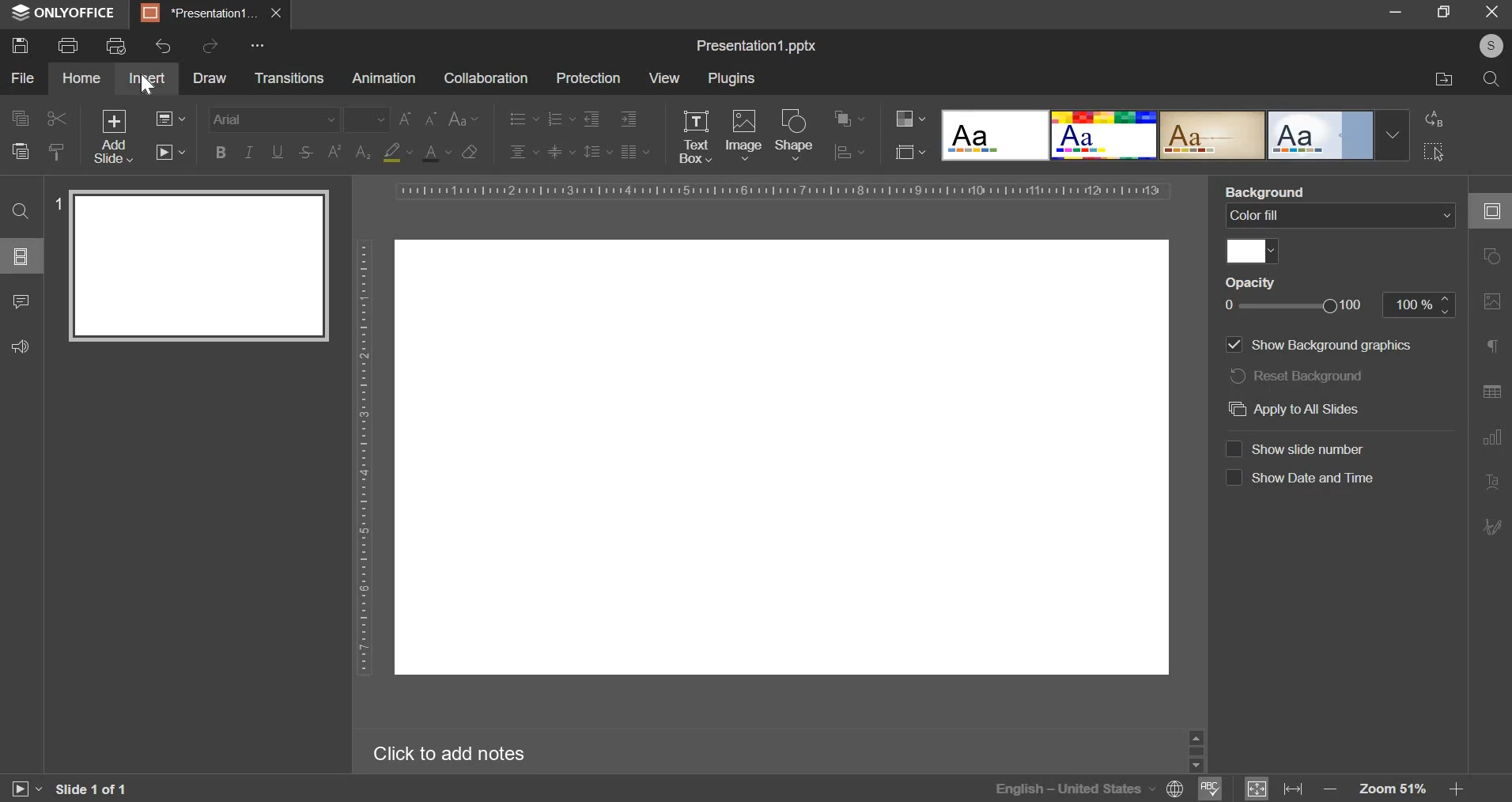  What do you see at coordinates (171, 153) in the screenshot?
I see `slideshow` at bounding box center [171, 153].